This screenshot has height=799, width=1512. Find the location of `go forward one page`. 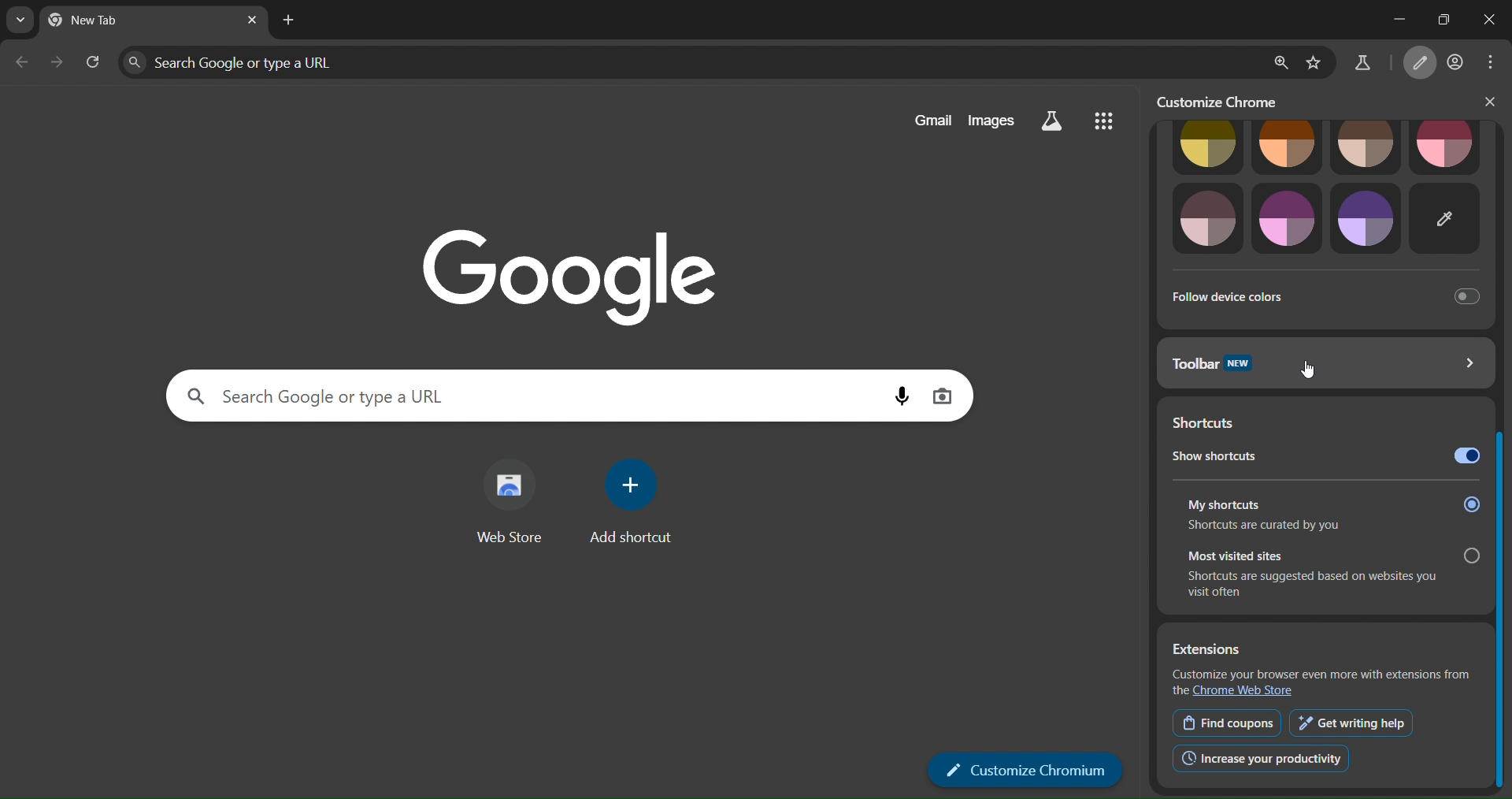

go forward one page is located at coordinates (58, 64).